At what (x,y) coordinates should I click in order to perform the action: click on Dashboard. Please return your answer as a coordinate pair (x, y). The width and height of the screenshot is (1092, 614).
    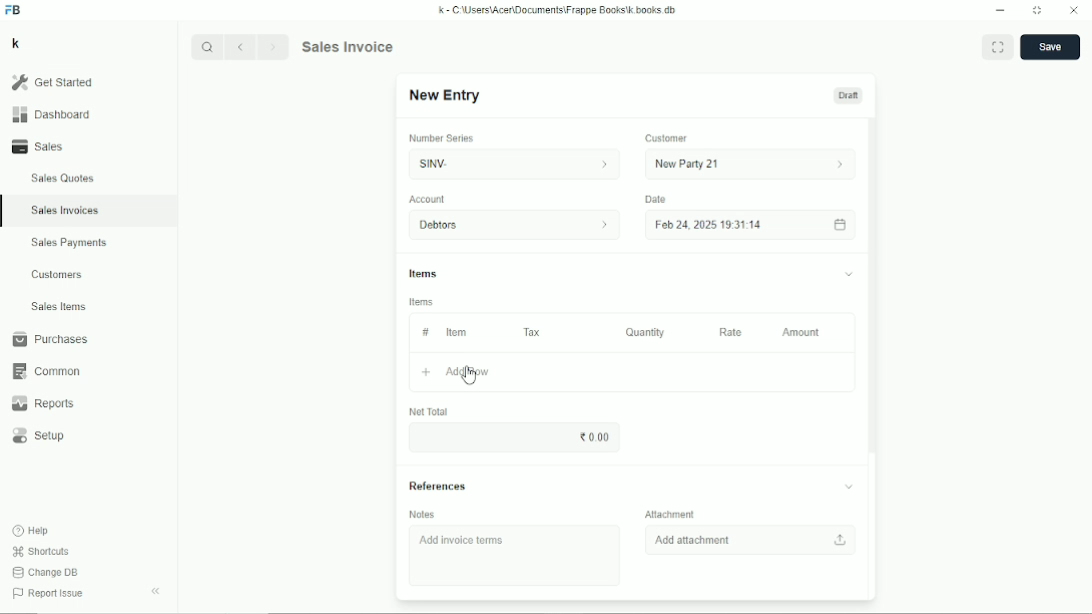
    Looking at the image, I should click on (51, 114).